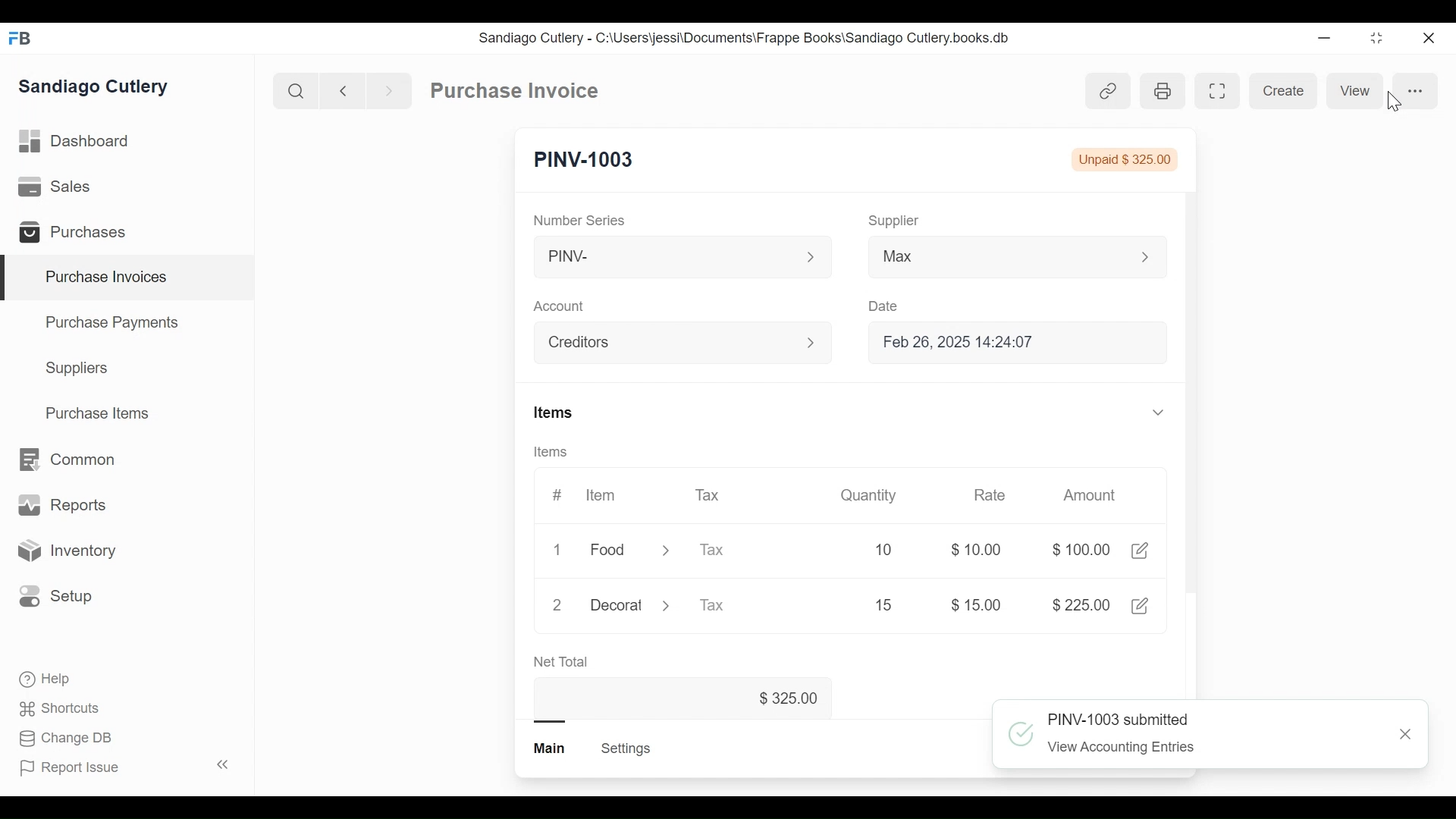 Image resolution: width=1456 pixels, height=819 pixels. I want to click on 15, so click(865, 604).